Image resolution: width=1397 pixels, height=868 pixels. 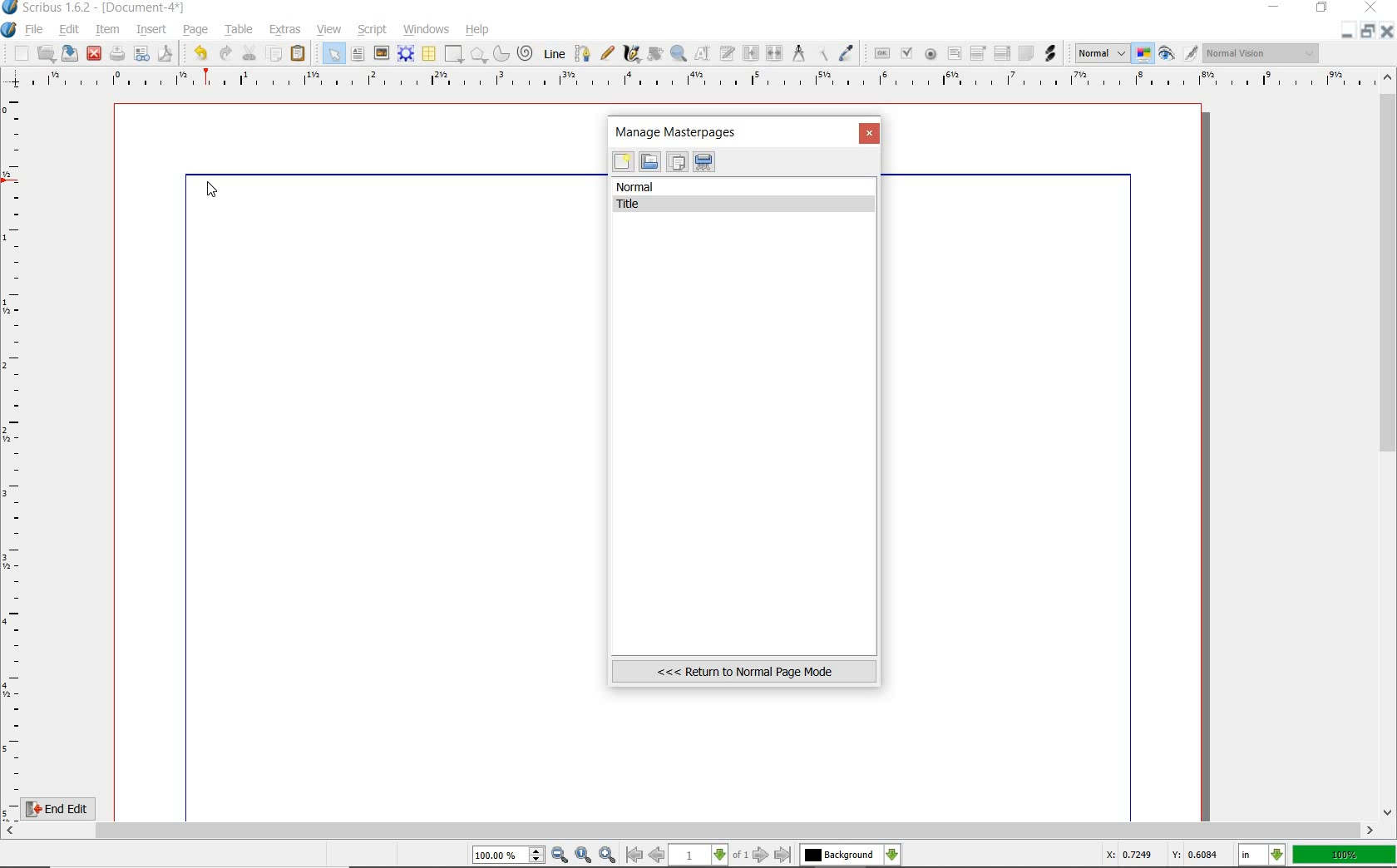 What do you see at coordinates (659, 856) in the screenshot?
I see `go to previous page` at bounding box center [659, 856].